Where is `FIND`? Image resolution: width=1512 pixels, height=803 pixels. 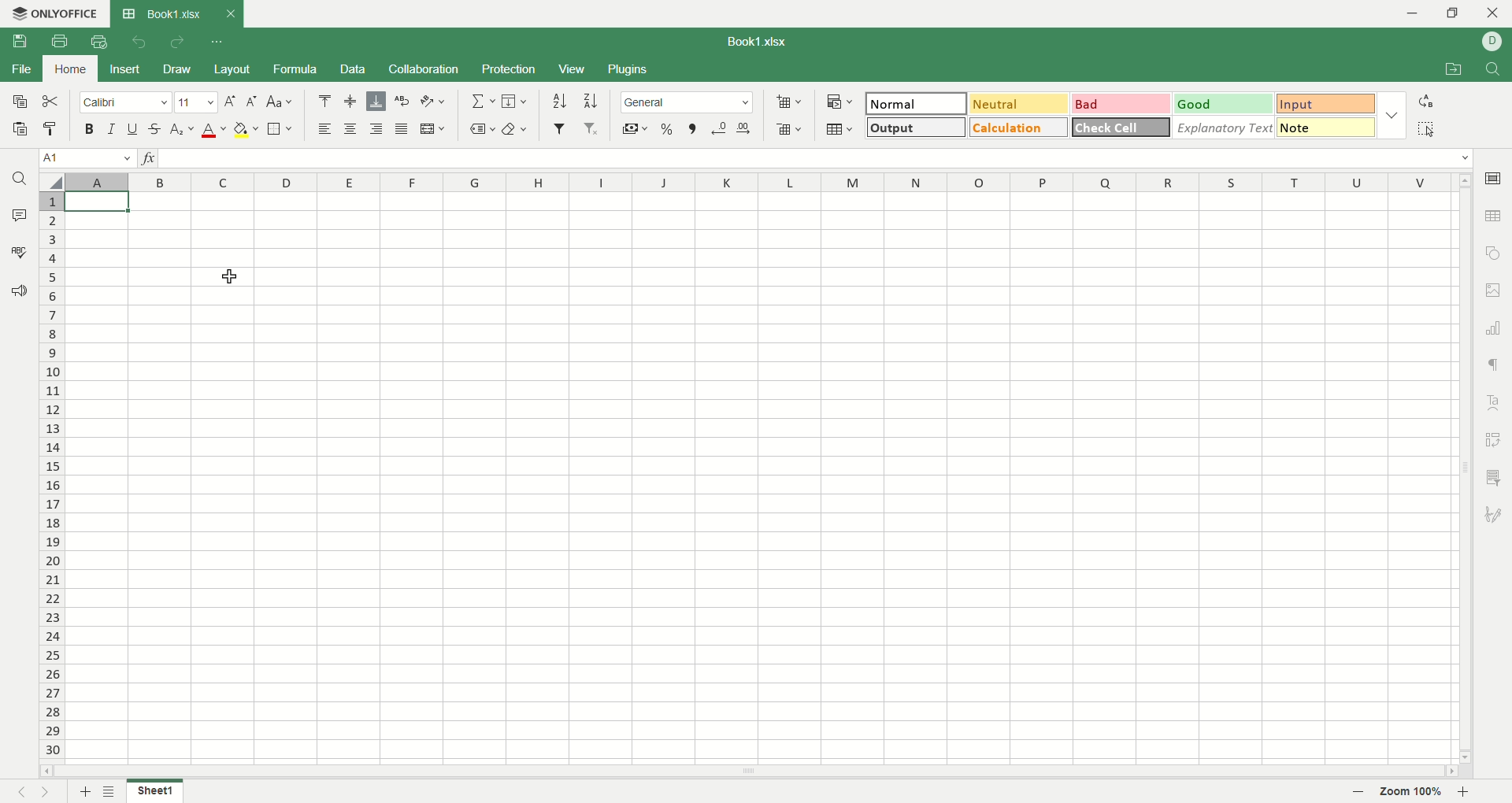
FIND is located at coordinates (1490, 70).